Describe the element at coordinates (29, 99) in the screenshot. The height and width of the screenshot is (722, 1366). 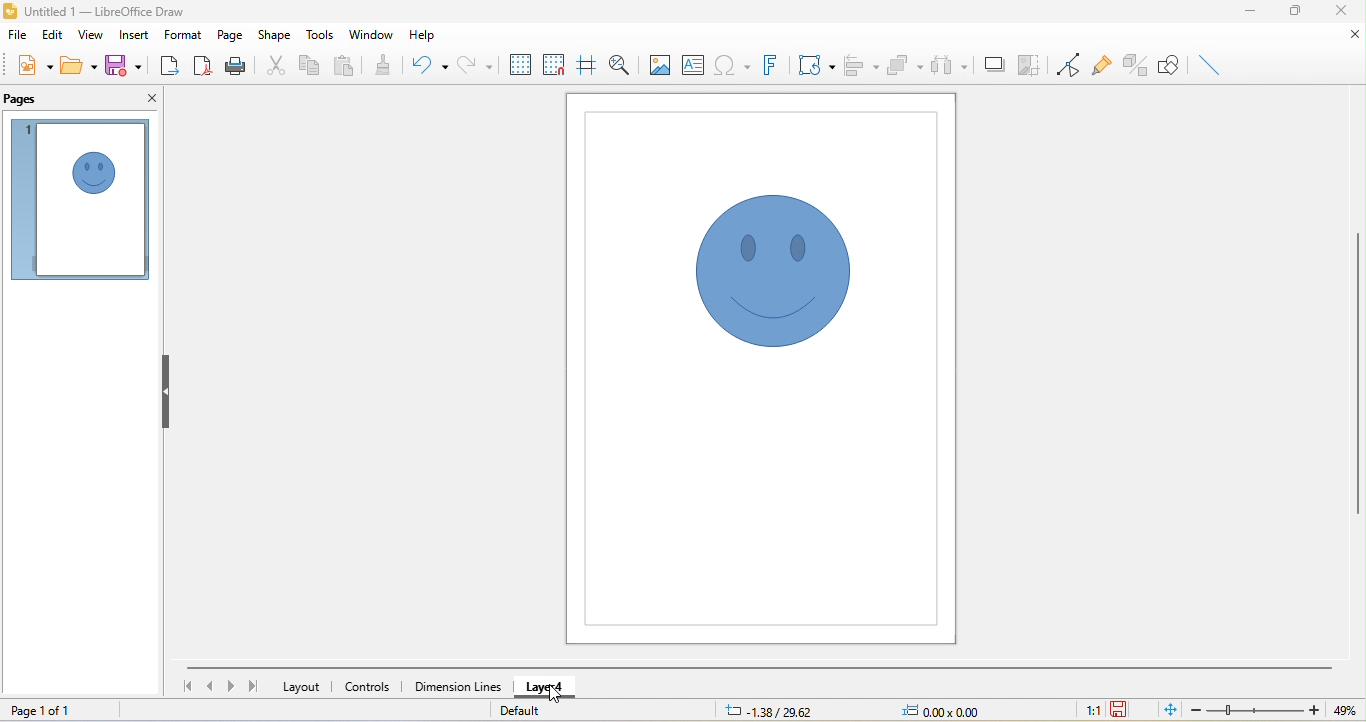
I see `pages` at that location.